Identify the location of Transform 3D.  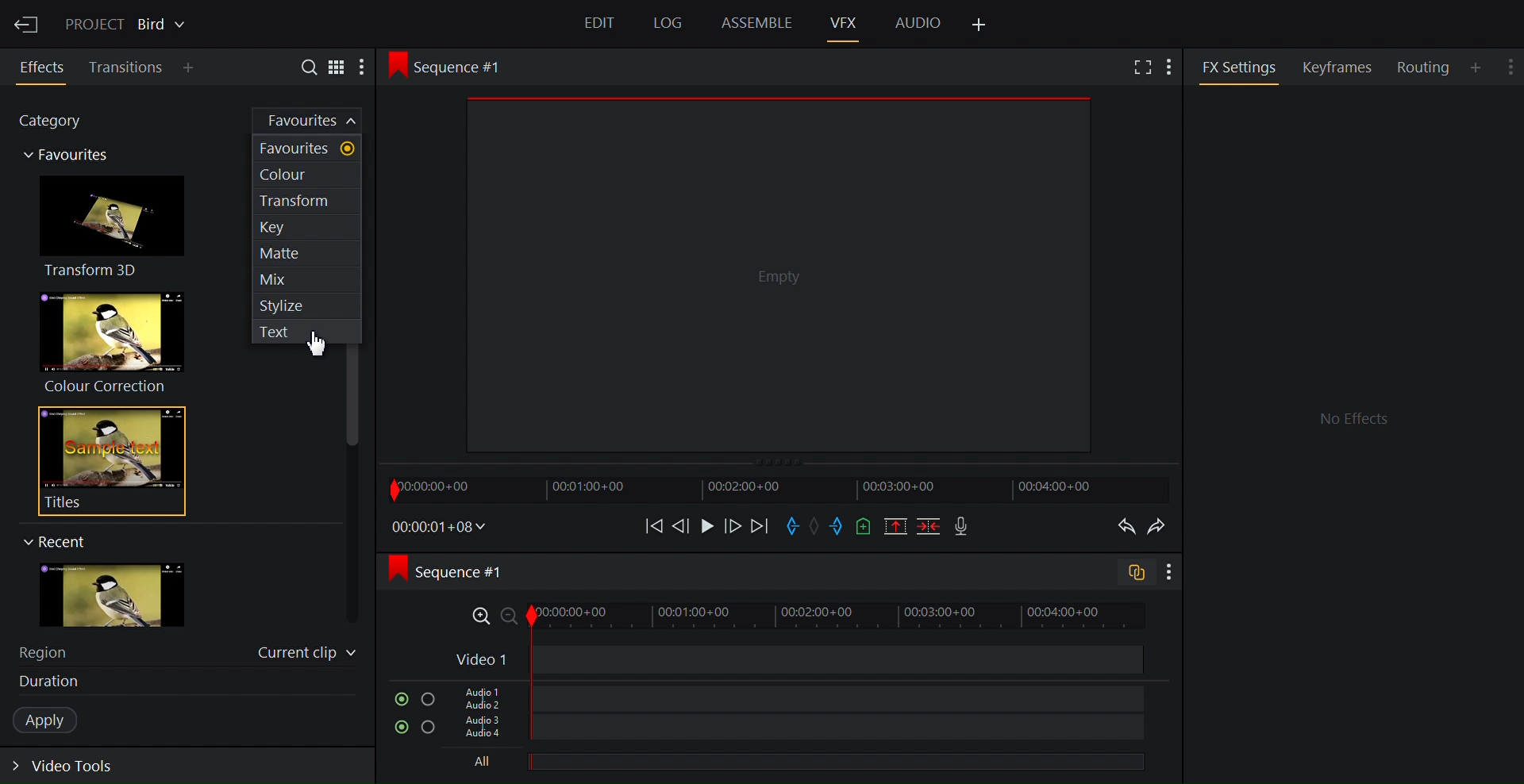
(117, 229).